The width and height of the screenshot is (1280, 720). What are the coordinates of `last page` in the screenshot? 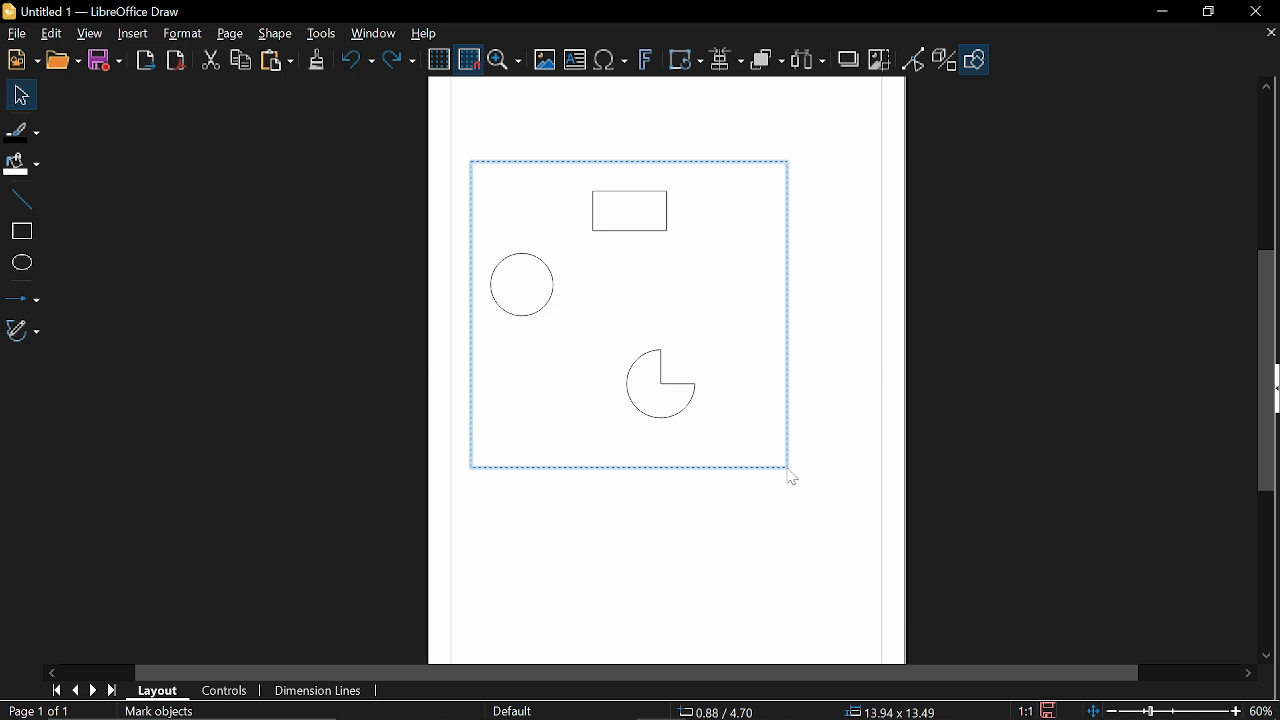 It's located at (110, 690).